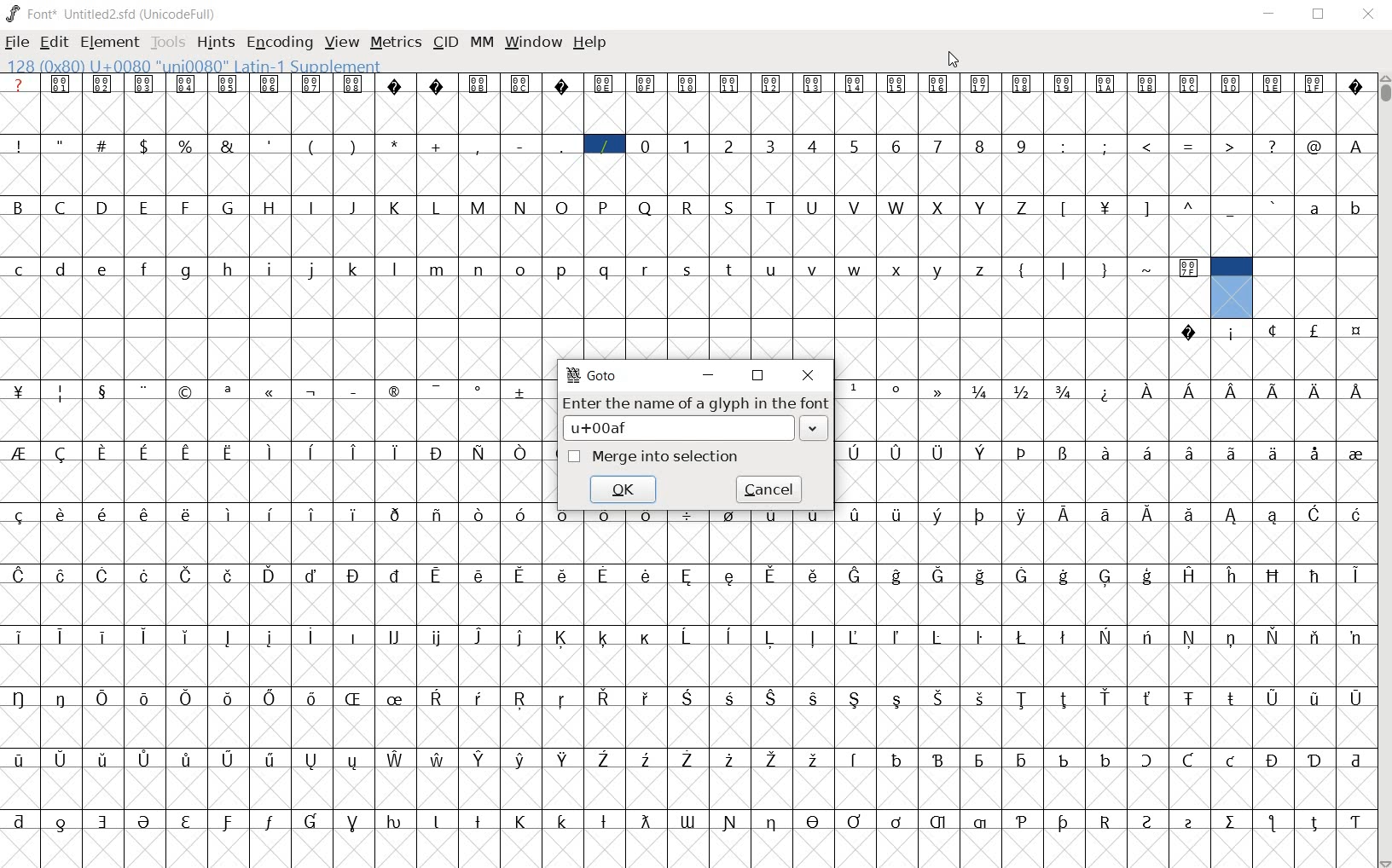  What do you see at coordinates (897, 146) in the screenshot?
I see `6` at bounding box center [897, 146].